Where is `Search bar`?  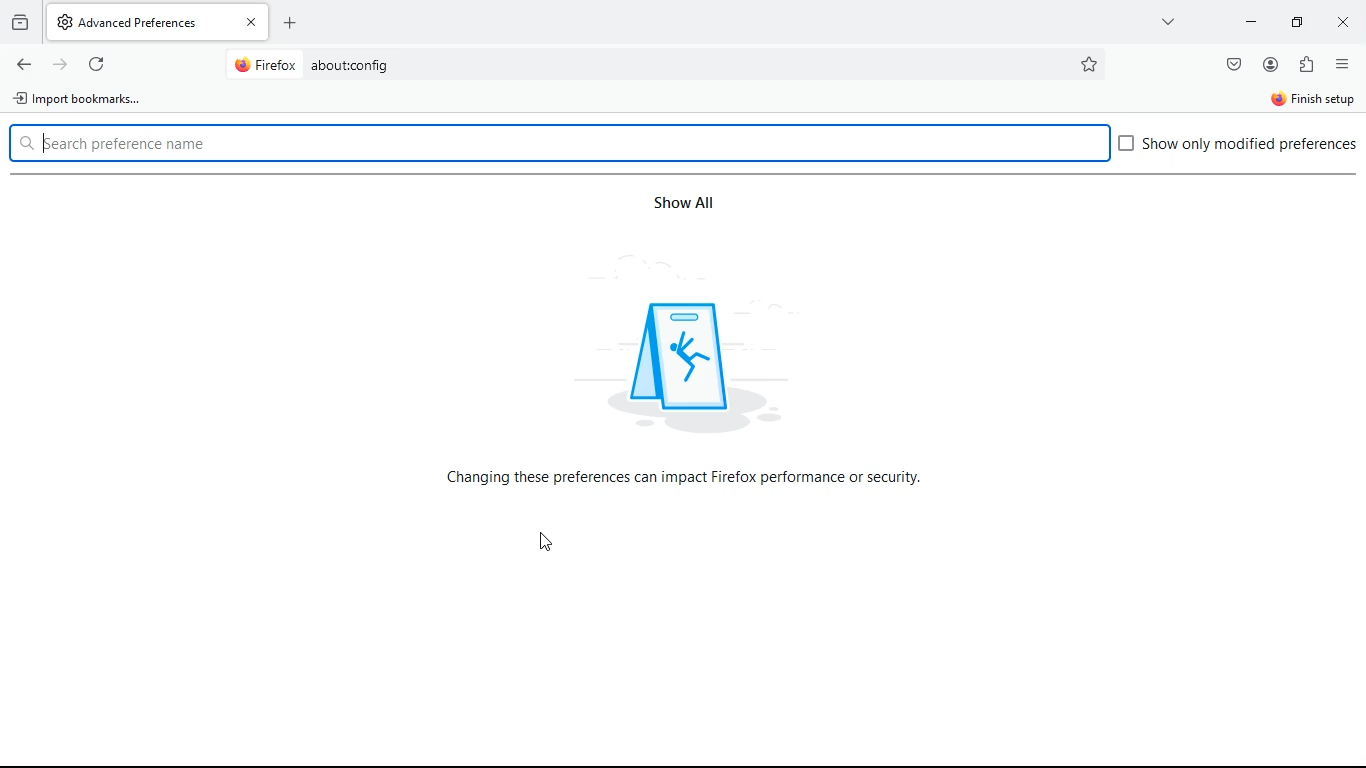 Search bar is located at coordinates (658, 65).